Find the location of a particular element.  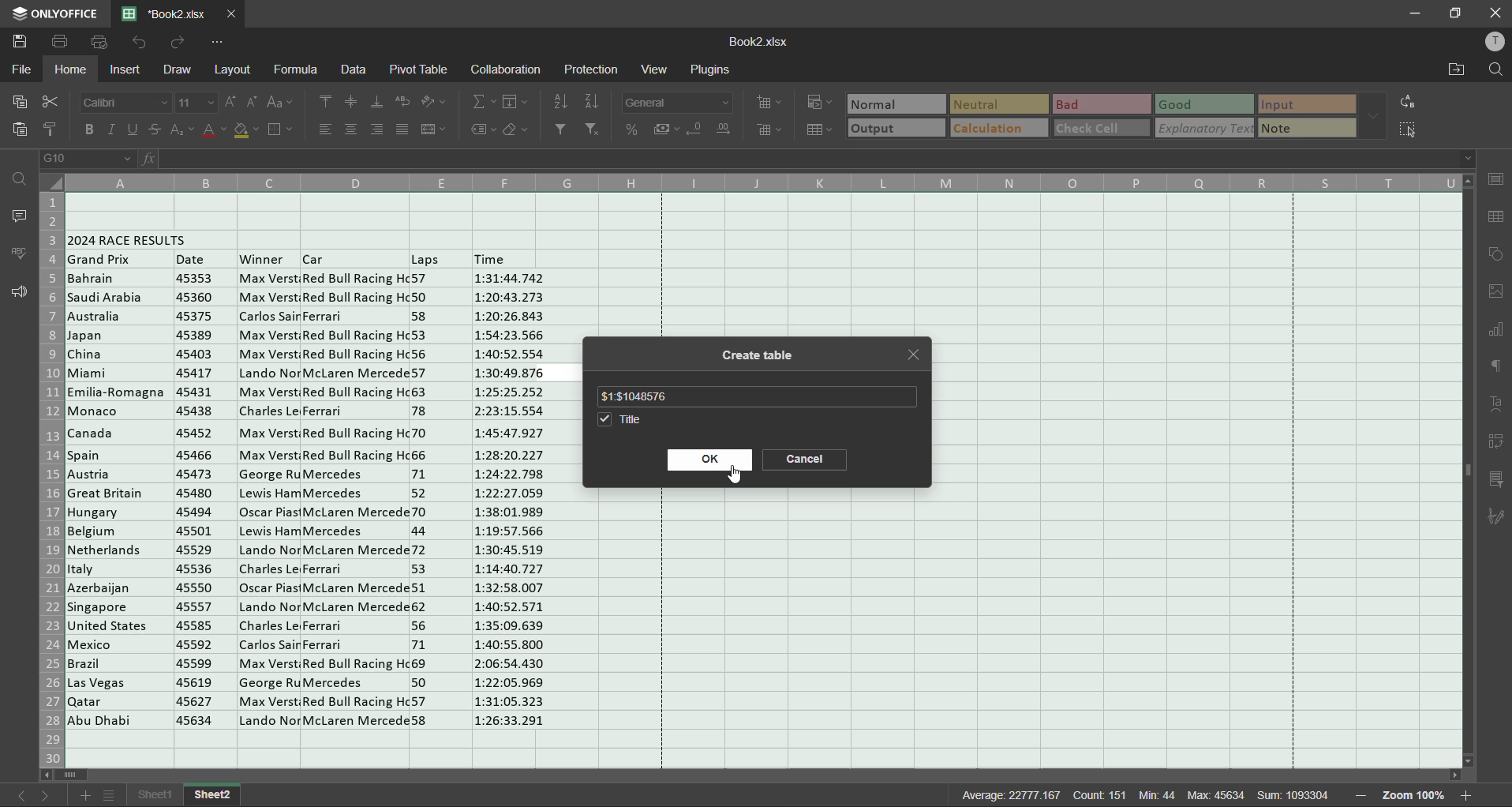

cut is located at coordinates (52, 102).